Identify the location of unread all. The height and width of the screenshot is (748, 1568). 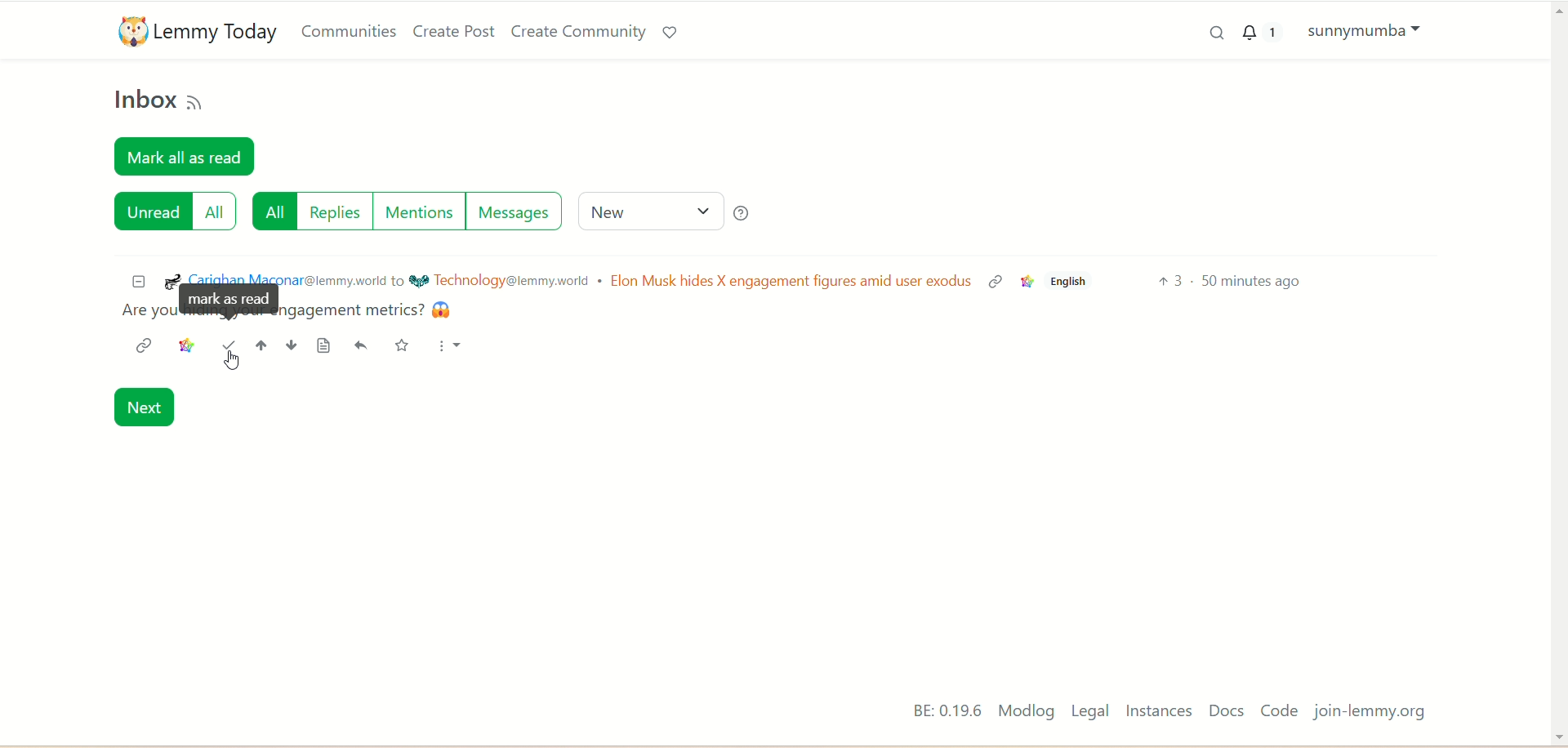
(174, 216).